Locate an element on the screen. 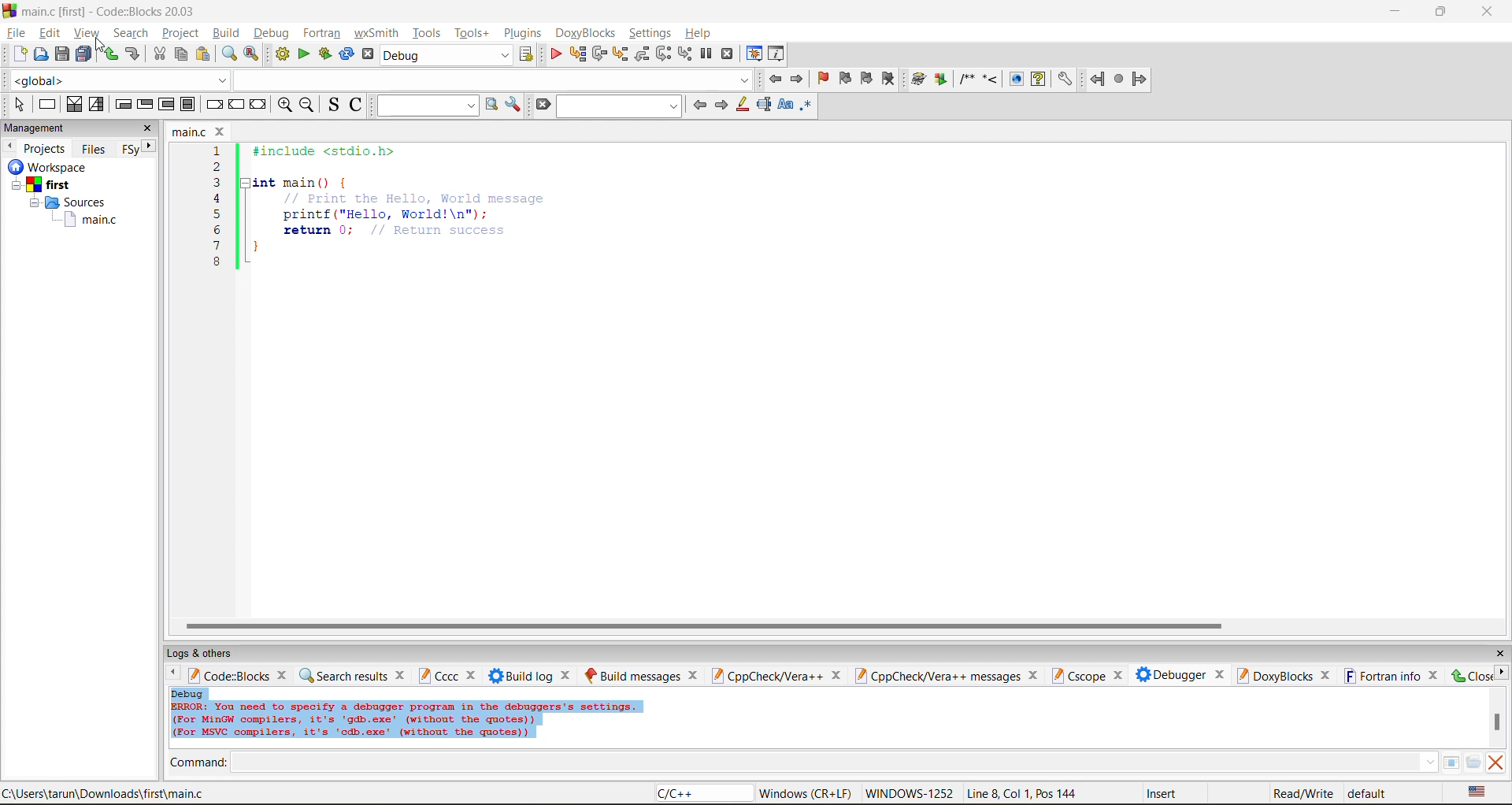 This screenshot has width=1512, height=805. next bookmark is located at coordinates (868, 79).